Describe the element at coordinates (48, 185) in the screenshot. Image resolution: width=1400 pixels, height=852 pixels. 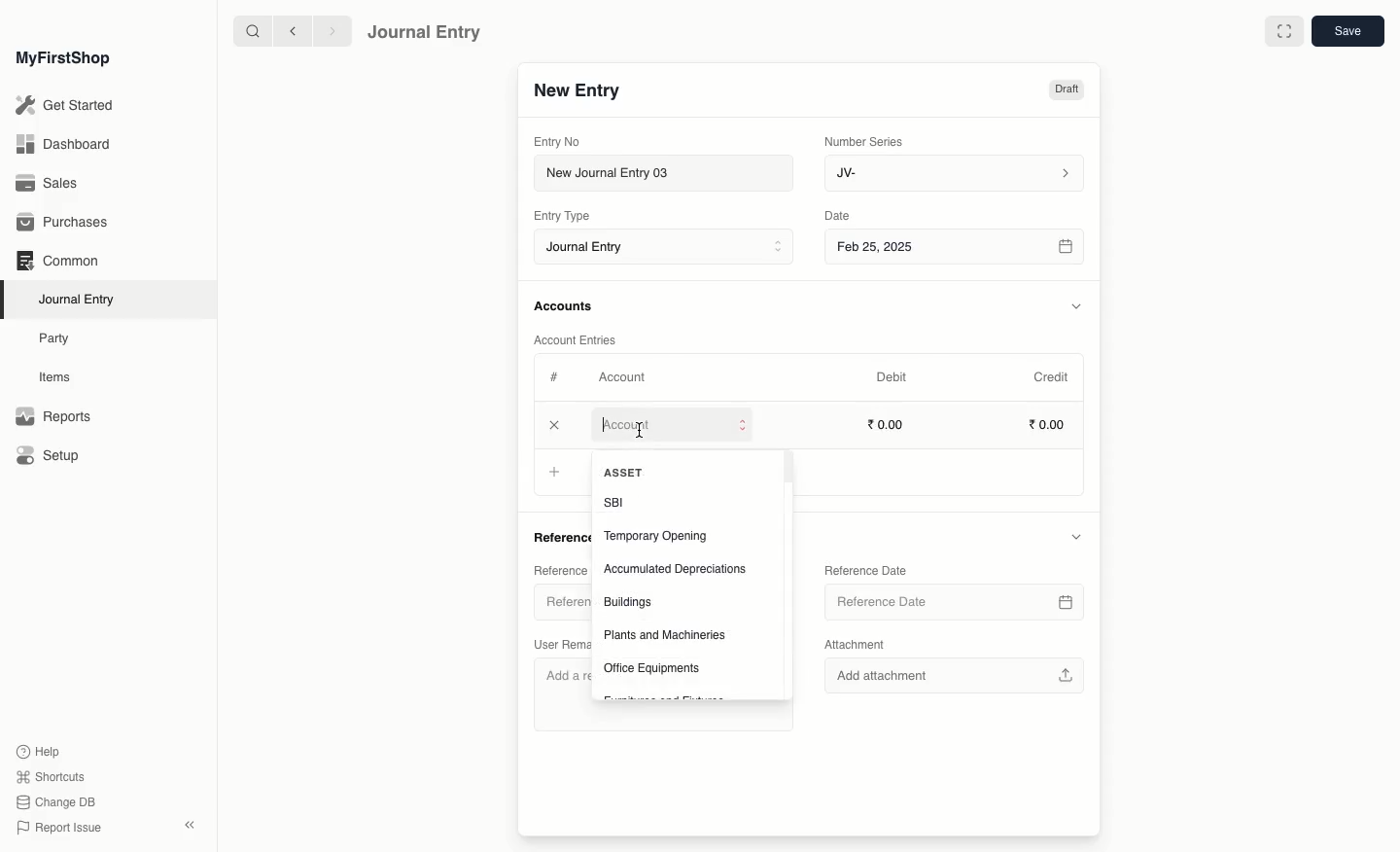
I see `Sales` at that location.